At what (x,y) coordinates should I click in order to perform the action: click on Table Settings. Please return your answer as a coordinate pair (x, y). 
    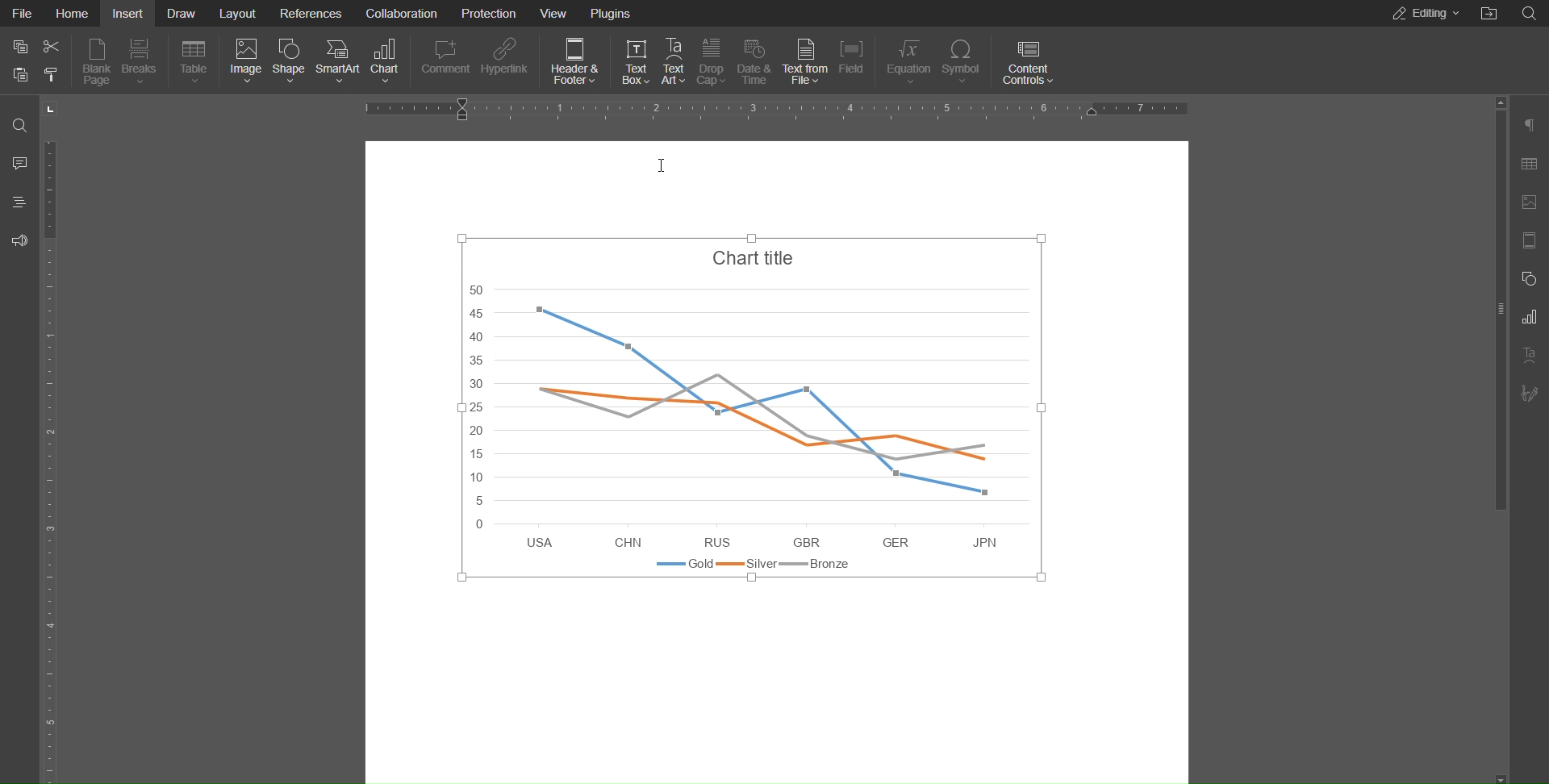
    Looking at the image, I should click on (1530, 165).